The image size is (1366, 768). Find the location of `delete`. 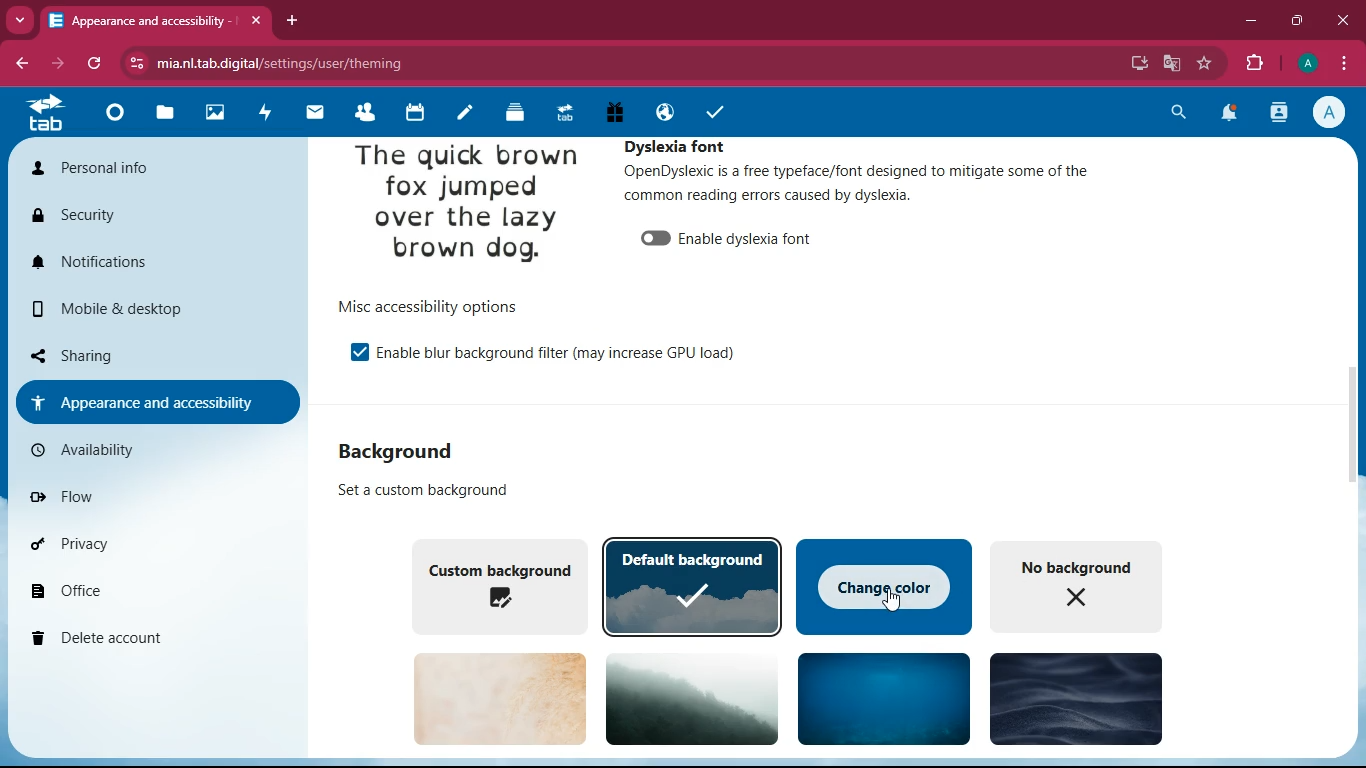

delete is located at coordinates (145, 640).